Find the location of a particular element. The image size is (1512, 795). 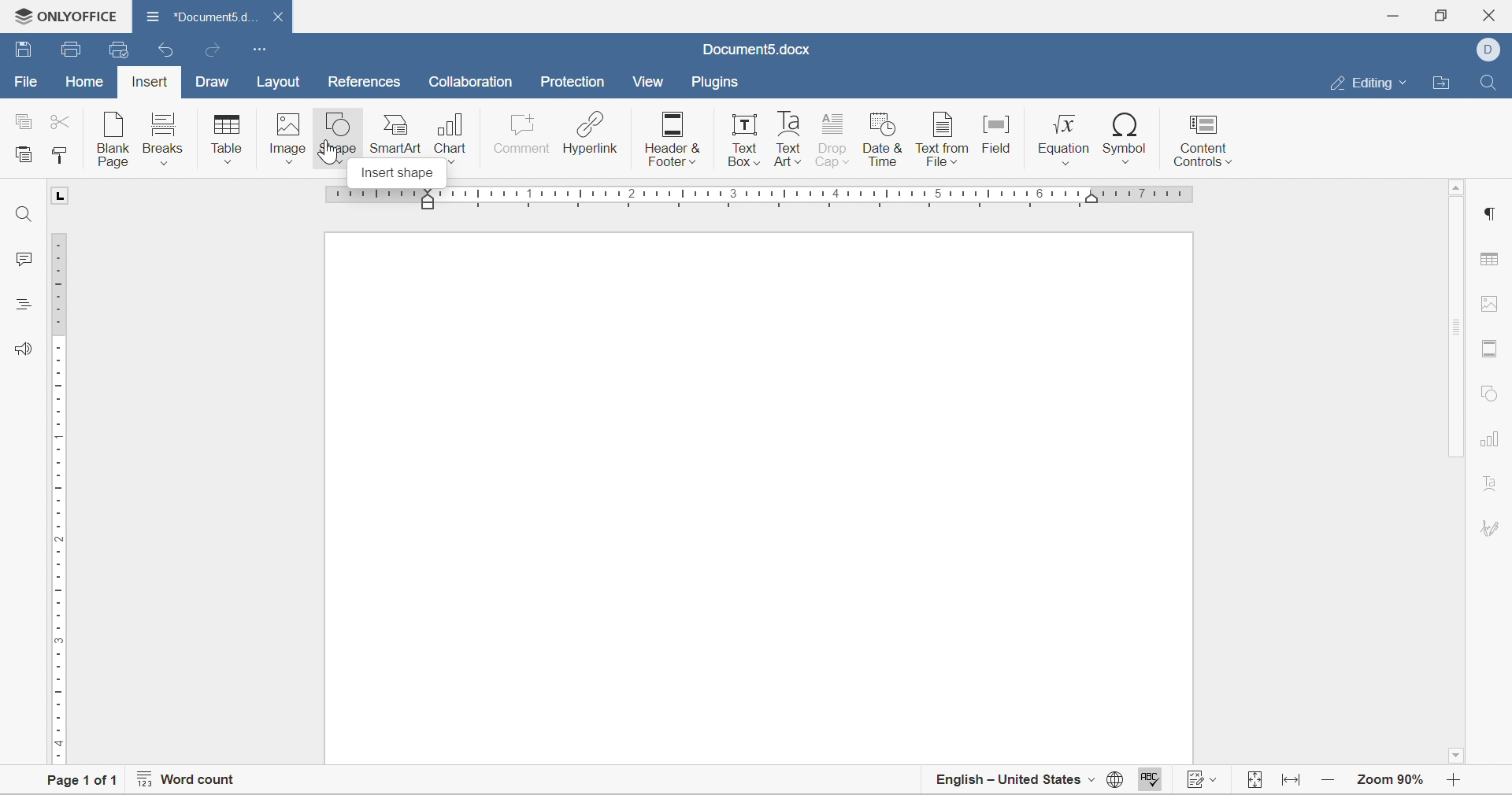

smartart is located at coordinates (397, 133).